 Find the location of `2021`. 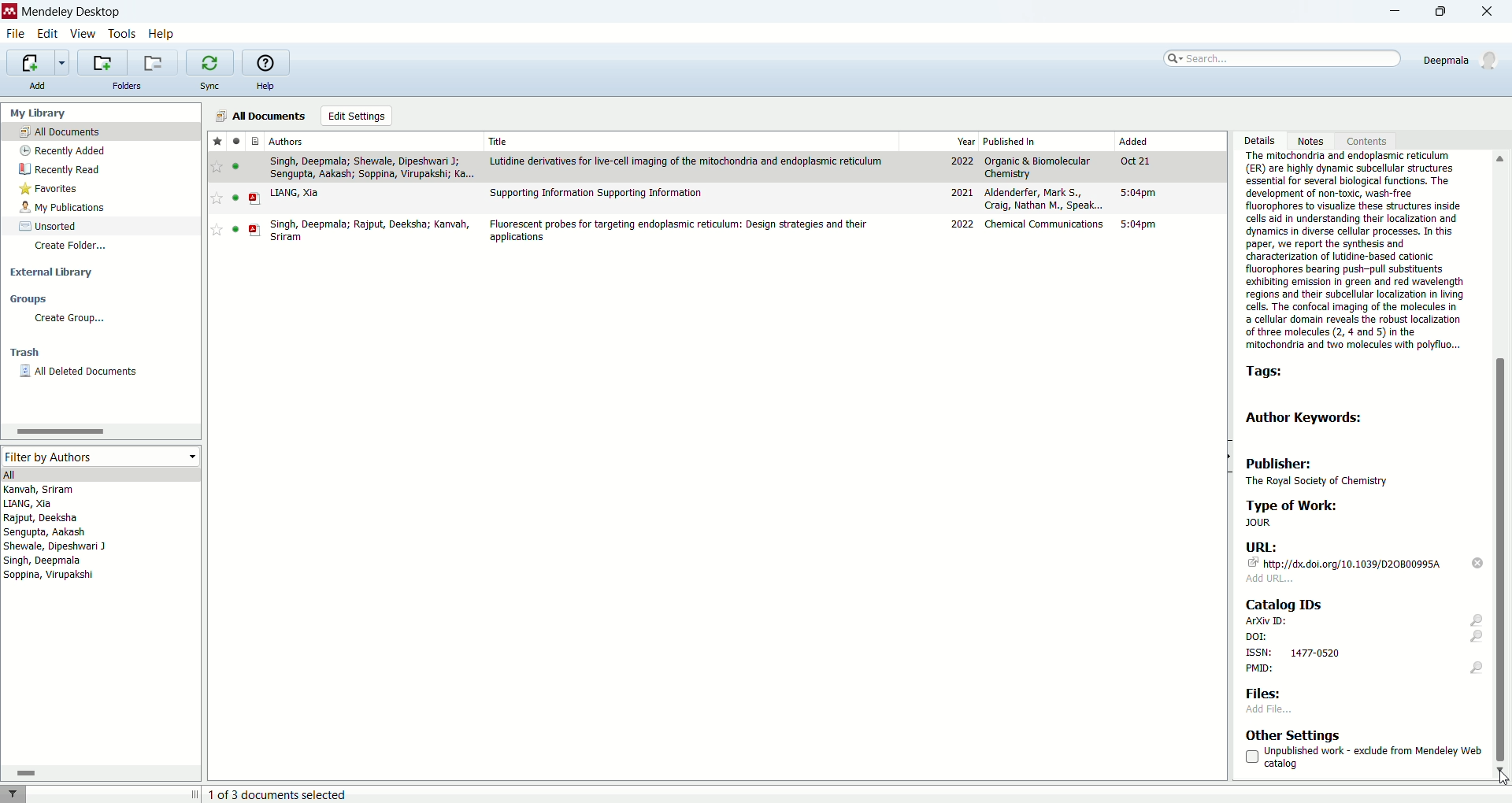

2021 is located at coordinates (962, 192).